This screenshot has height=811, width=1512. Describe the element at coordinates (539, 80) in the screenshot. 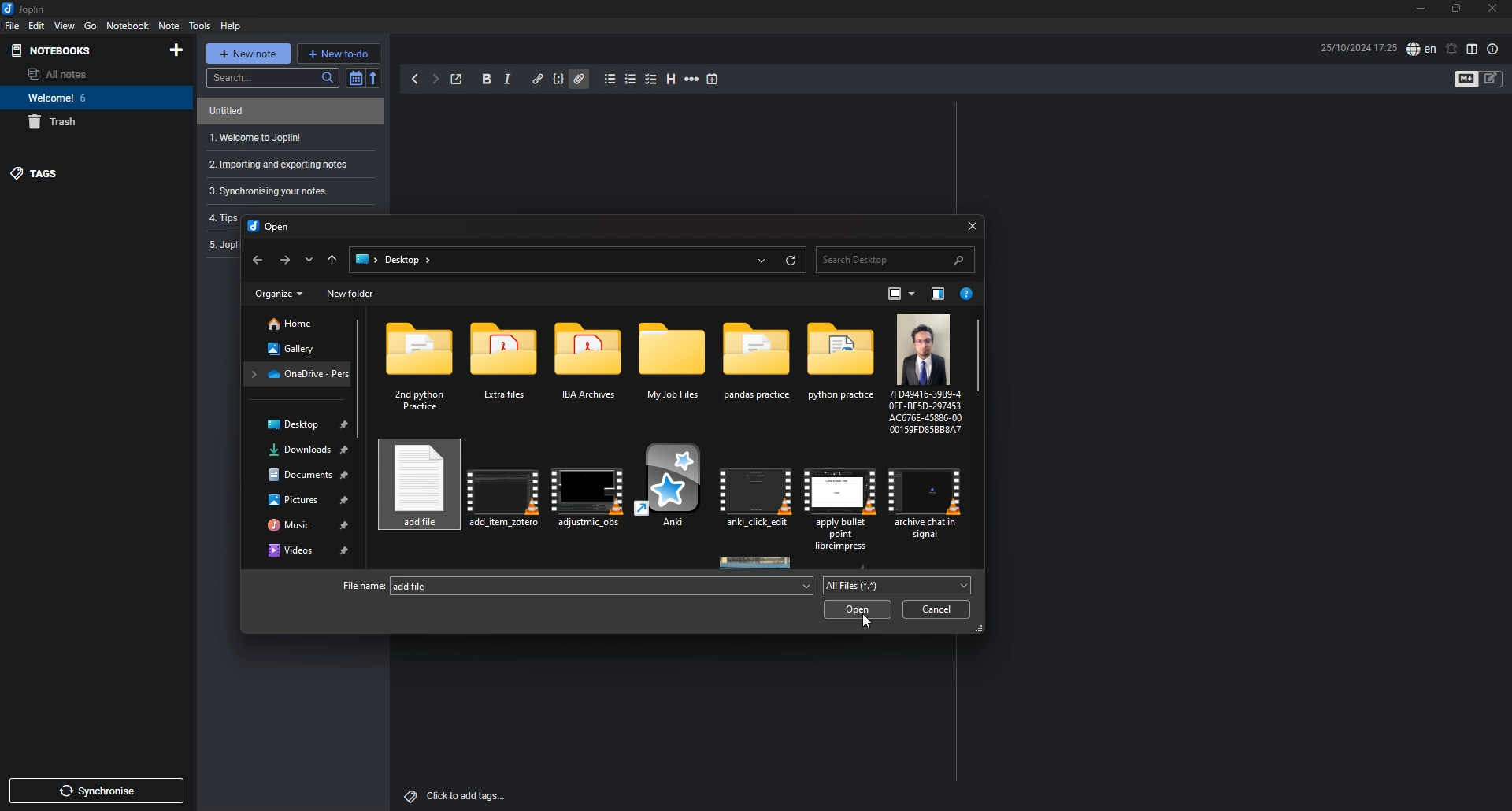

I see `add hyperlink` at that location.